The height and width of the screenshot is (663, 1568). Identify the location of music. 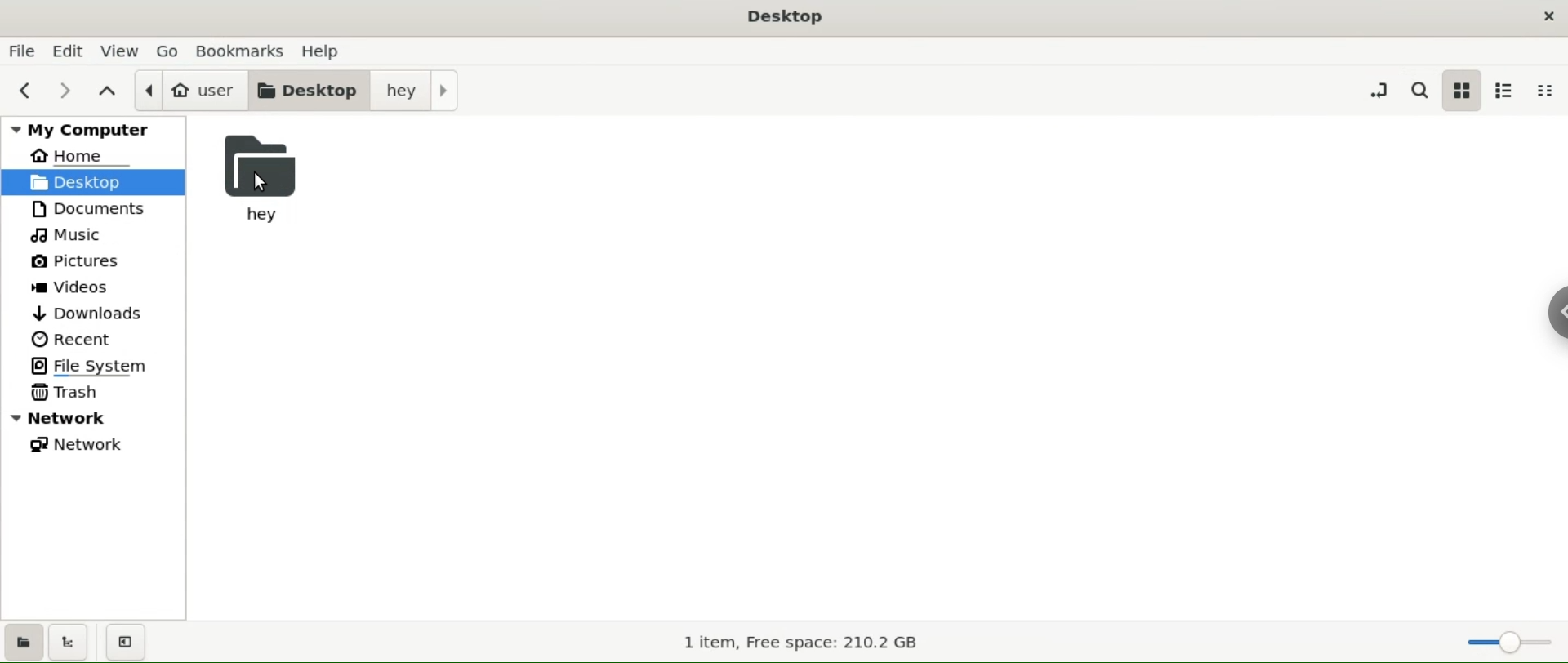
(72, 235).